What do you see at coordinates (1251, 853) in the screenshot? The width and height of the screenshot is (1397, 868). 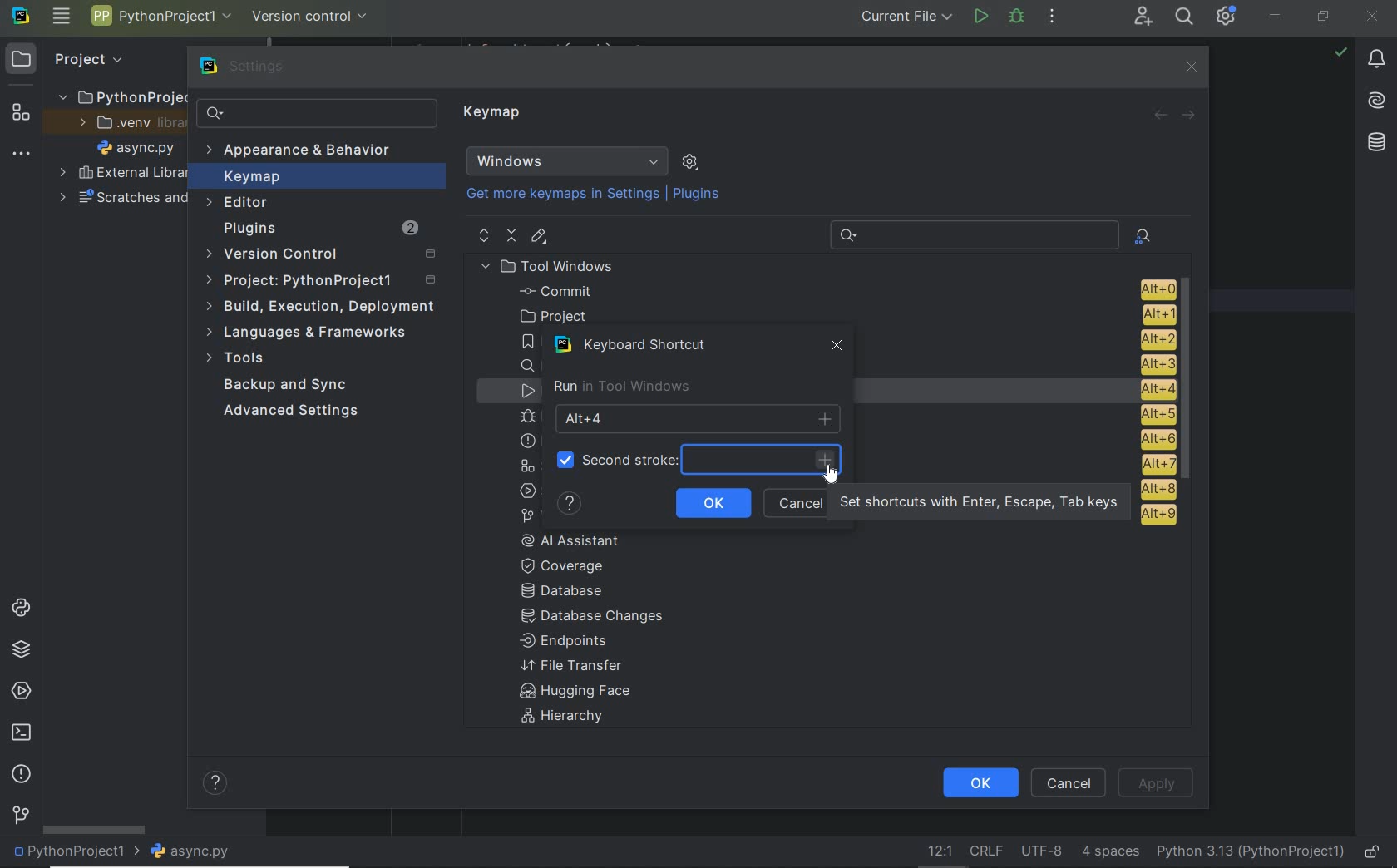 I see `current interpreter` at bounding box center [1251, 853].